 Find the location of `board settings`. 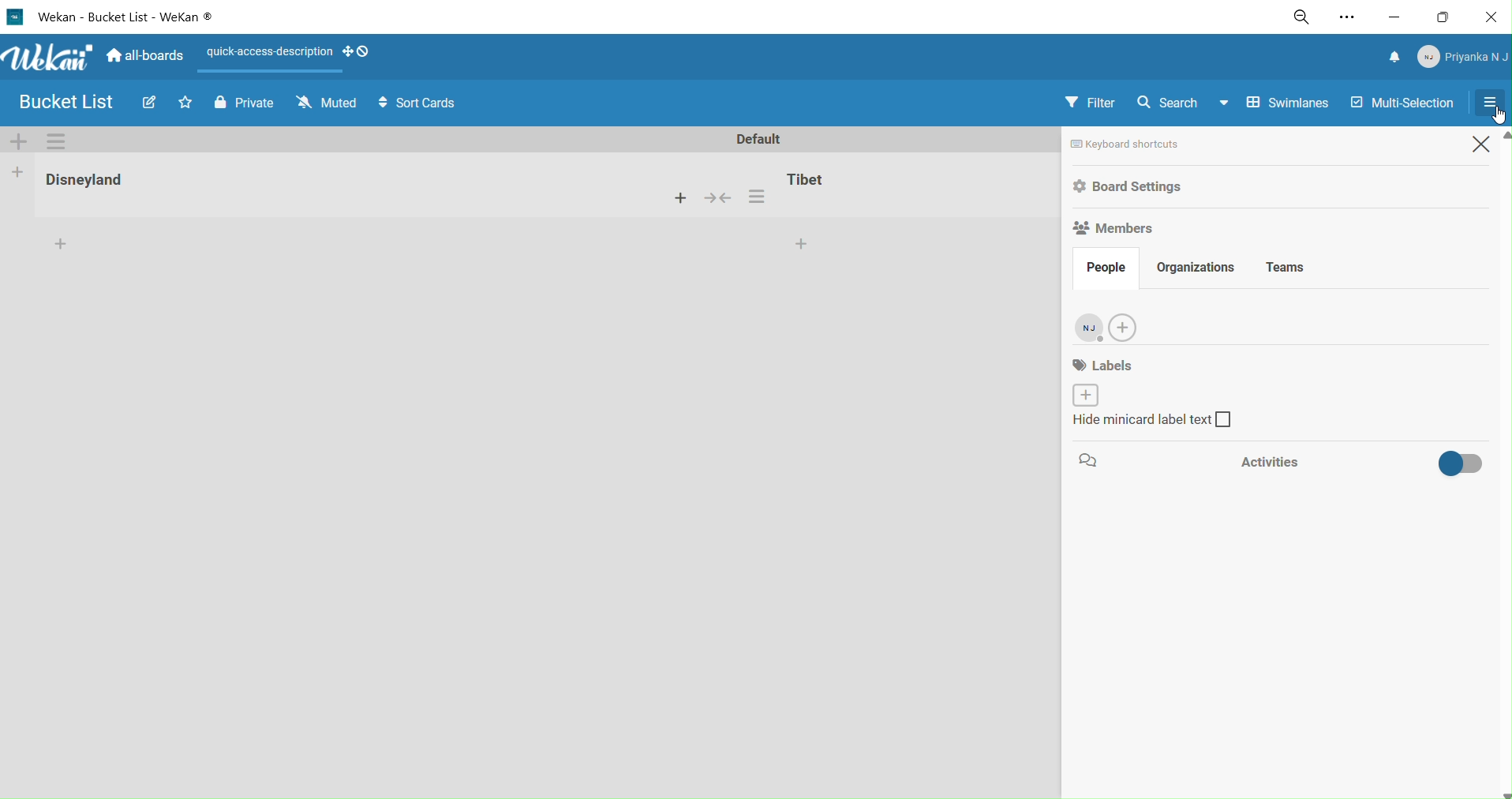

board settings is located at coordinates (1276, 187).